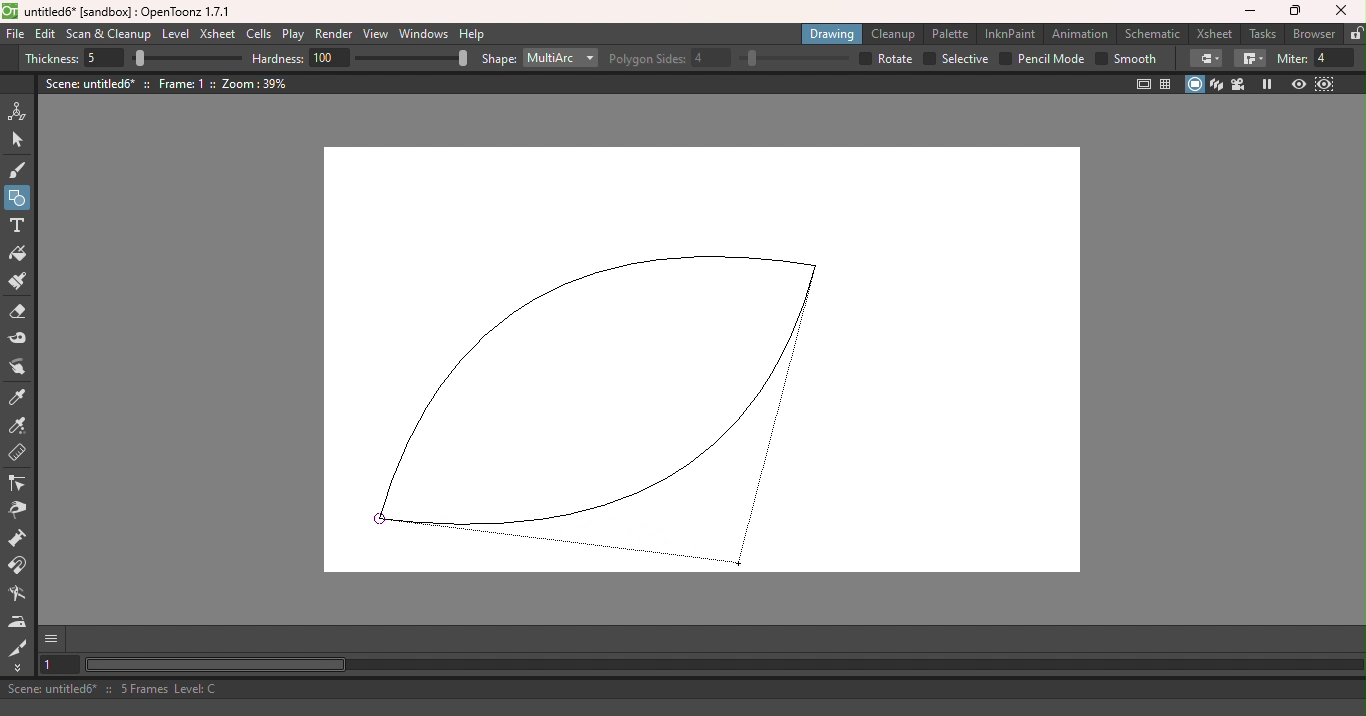  I want to click on Shape, so click(497, 60).